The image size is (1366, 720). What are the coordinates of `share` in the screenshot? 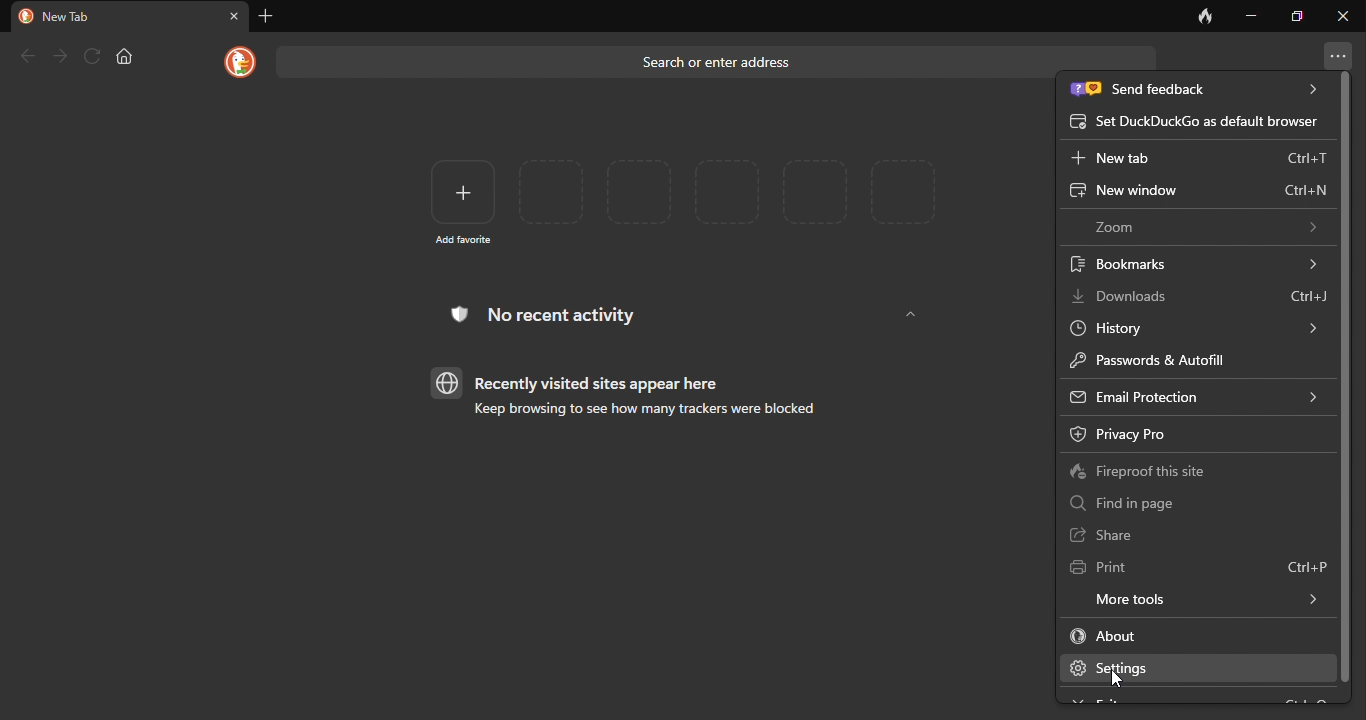 It's located at (1108, 535).